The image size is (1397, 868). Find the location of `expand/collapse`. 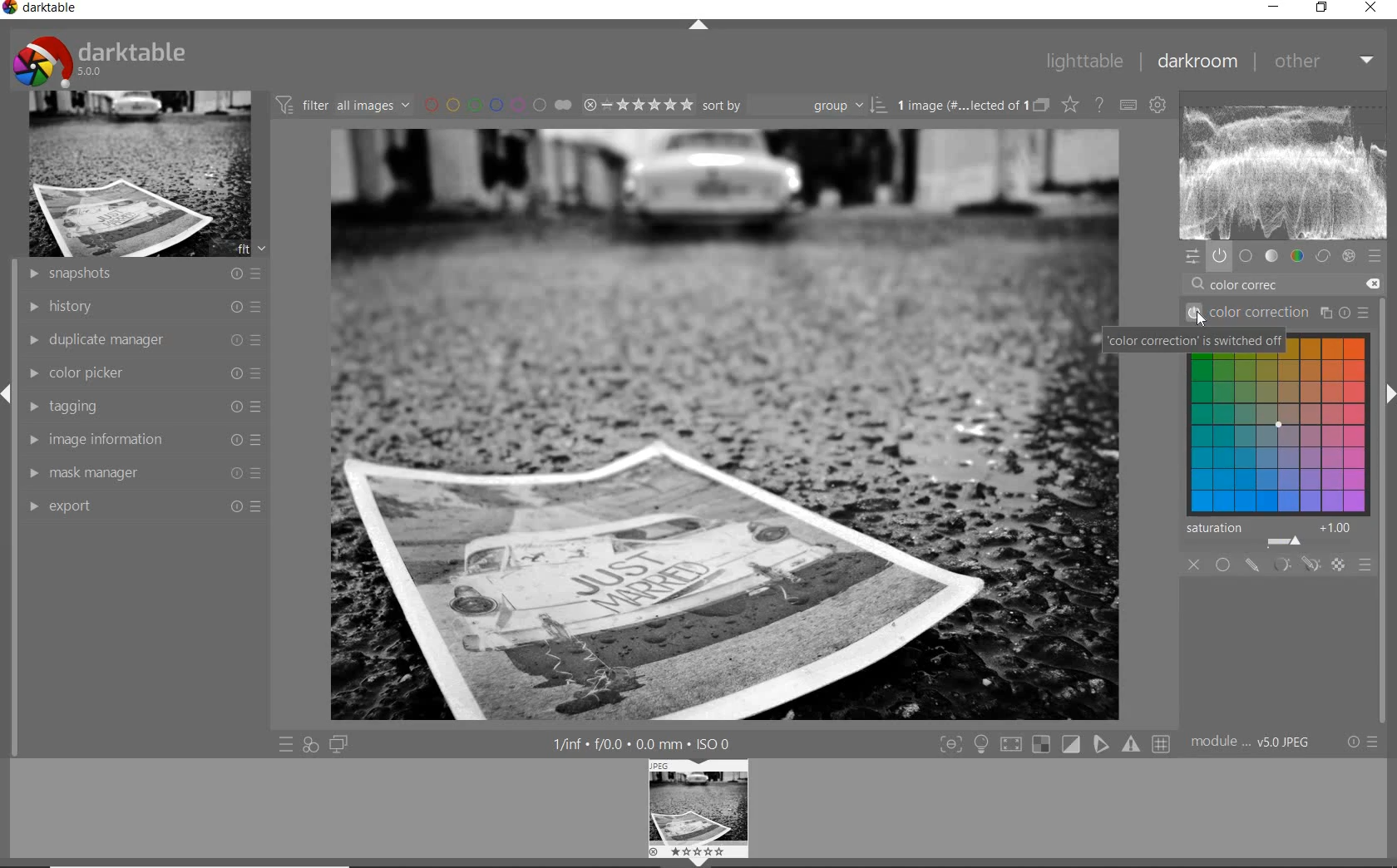

expand/collapse is located at coordinates (698, 27).